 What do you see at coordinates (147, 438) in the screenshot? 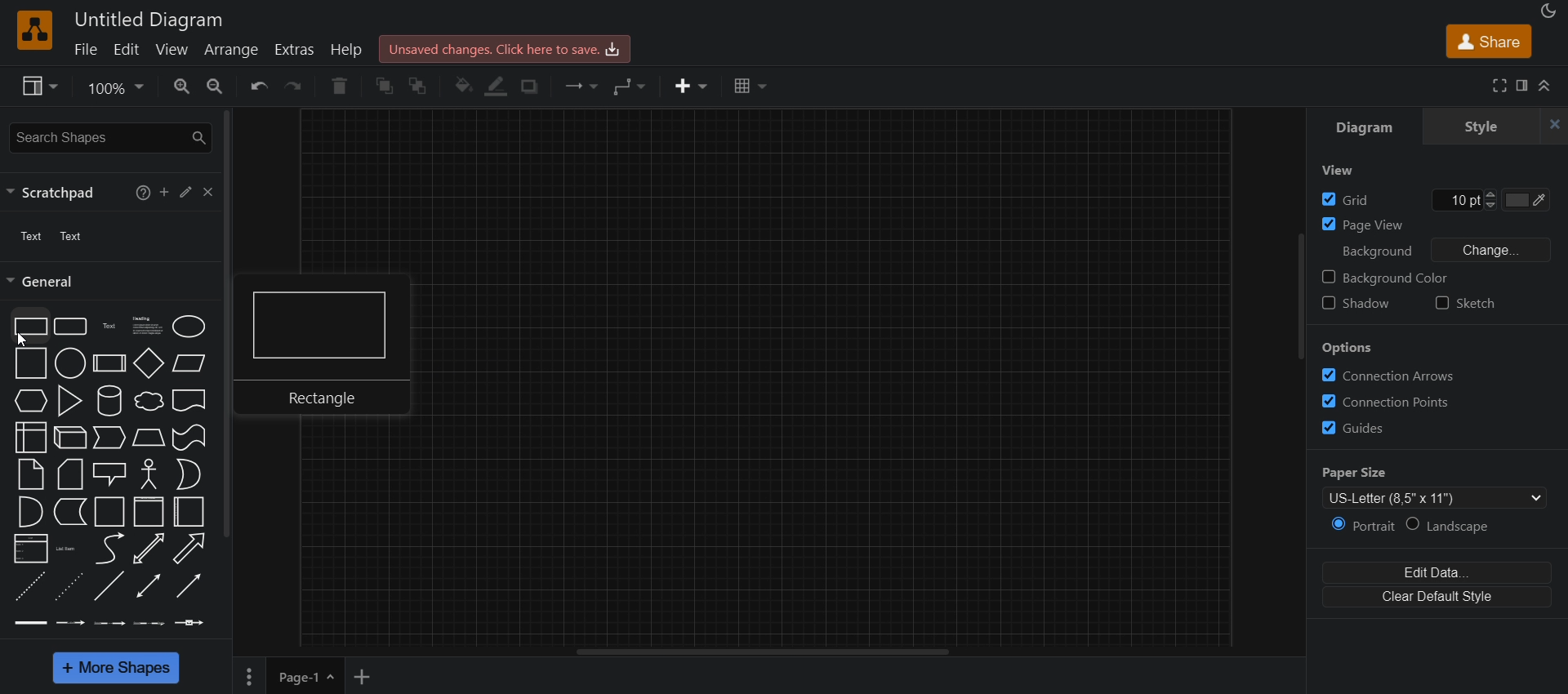
I see `trapezoid` at bounding box center [147, 438].